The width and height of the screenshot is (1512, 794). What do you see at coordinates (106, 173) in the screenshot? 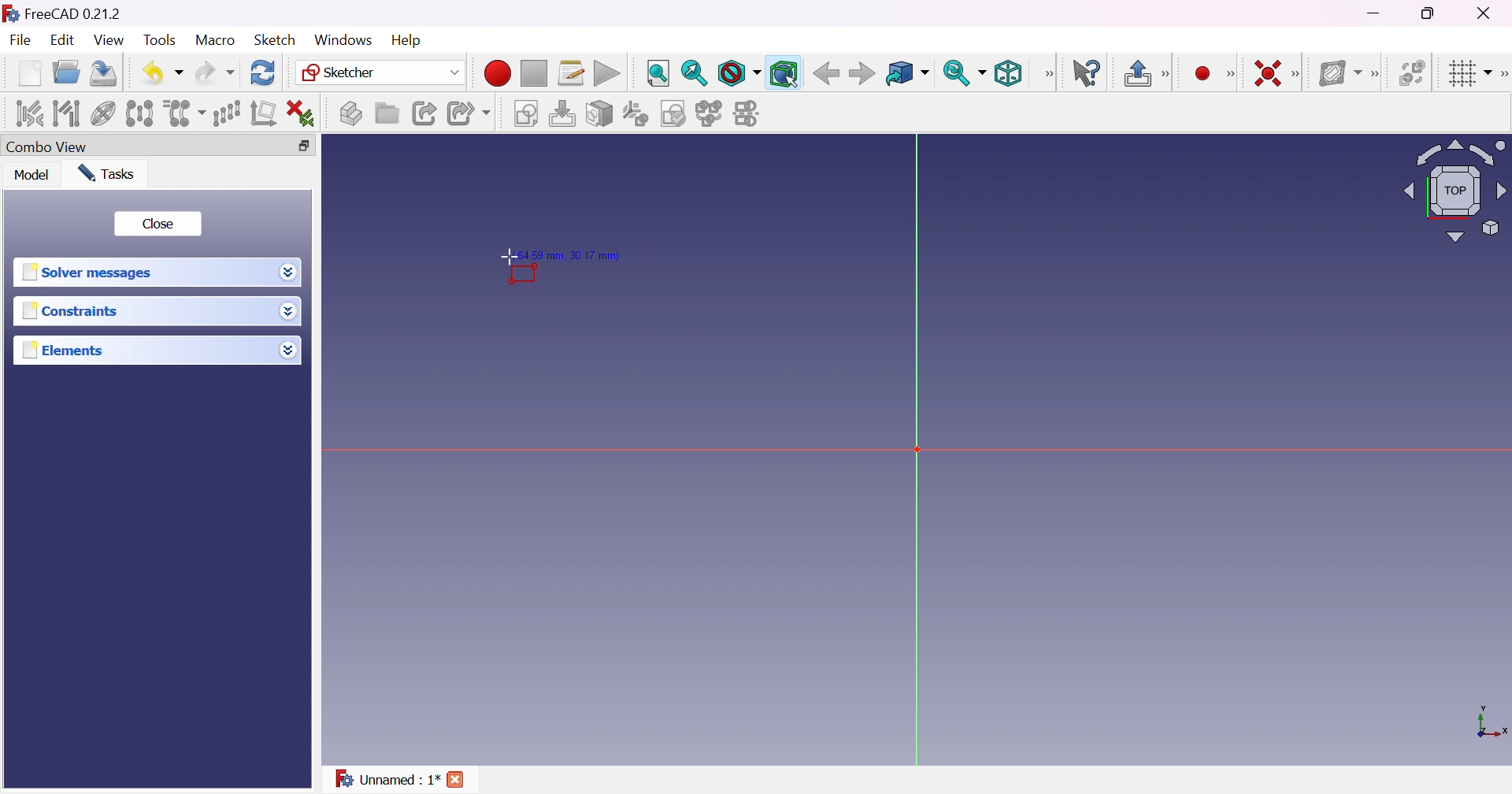
I see `Tasks` at bounding box center [106, 173].